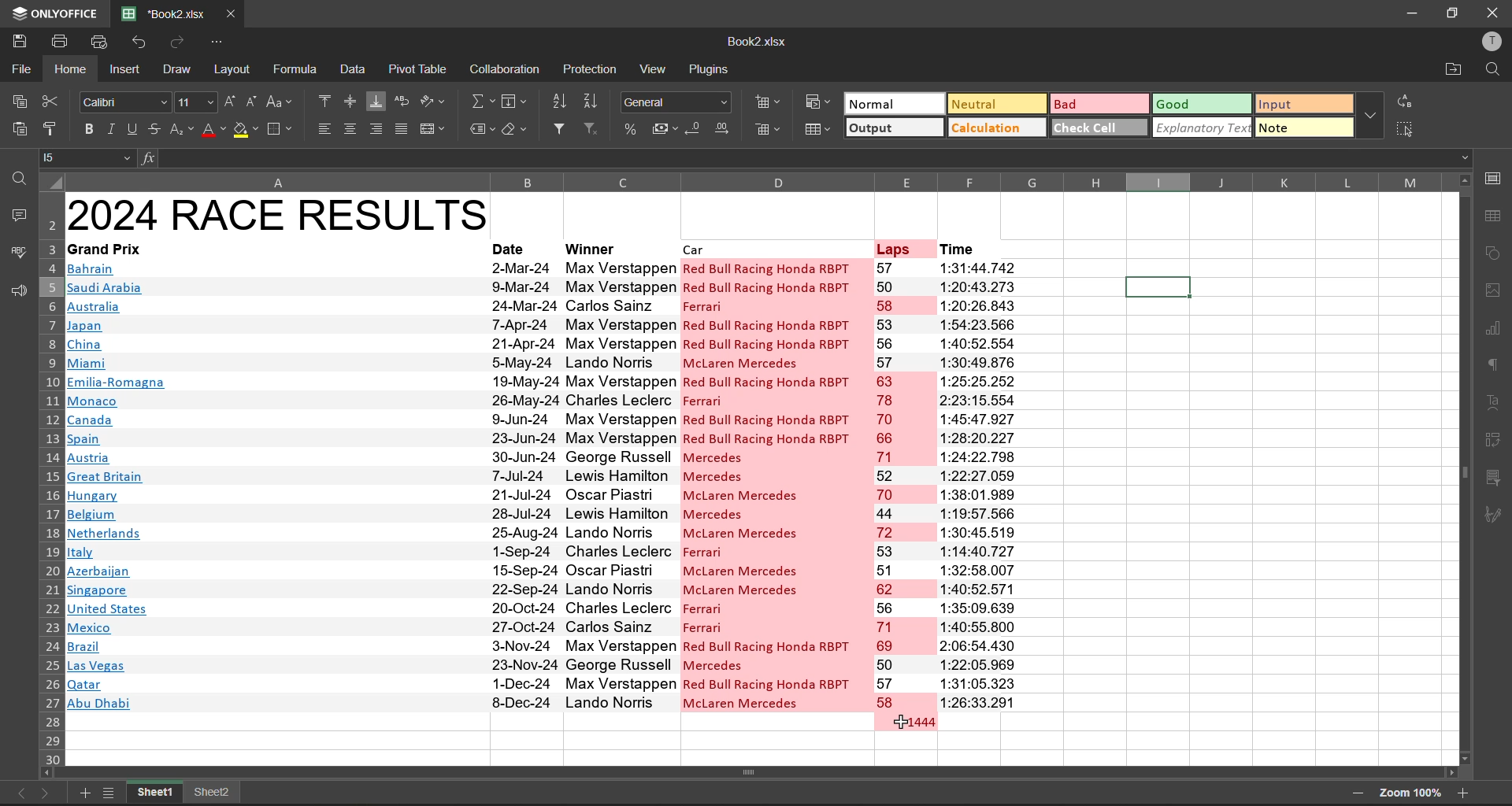  Describe the element at coordinates (892, 129) in the screenshot. I see `output` at that location.